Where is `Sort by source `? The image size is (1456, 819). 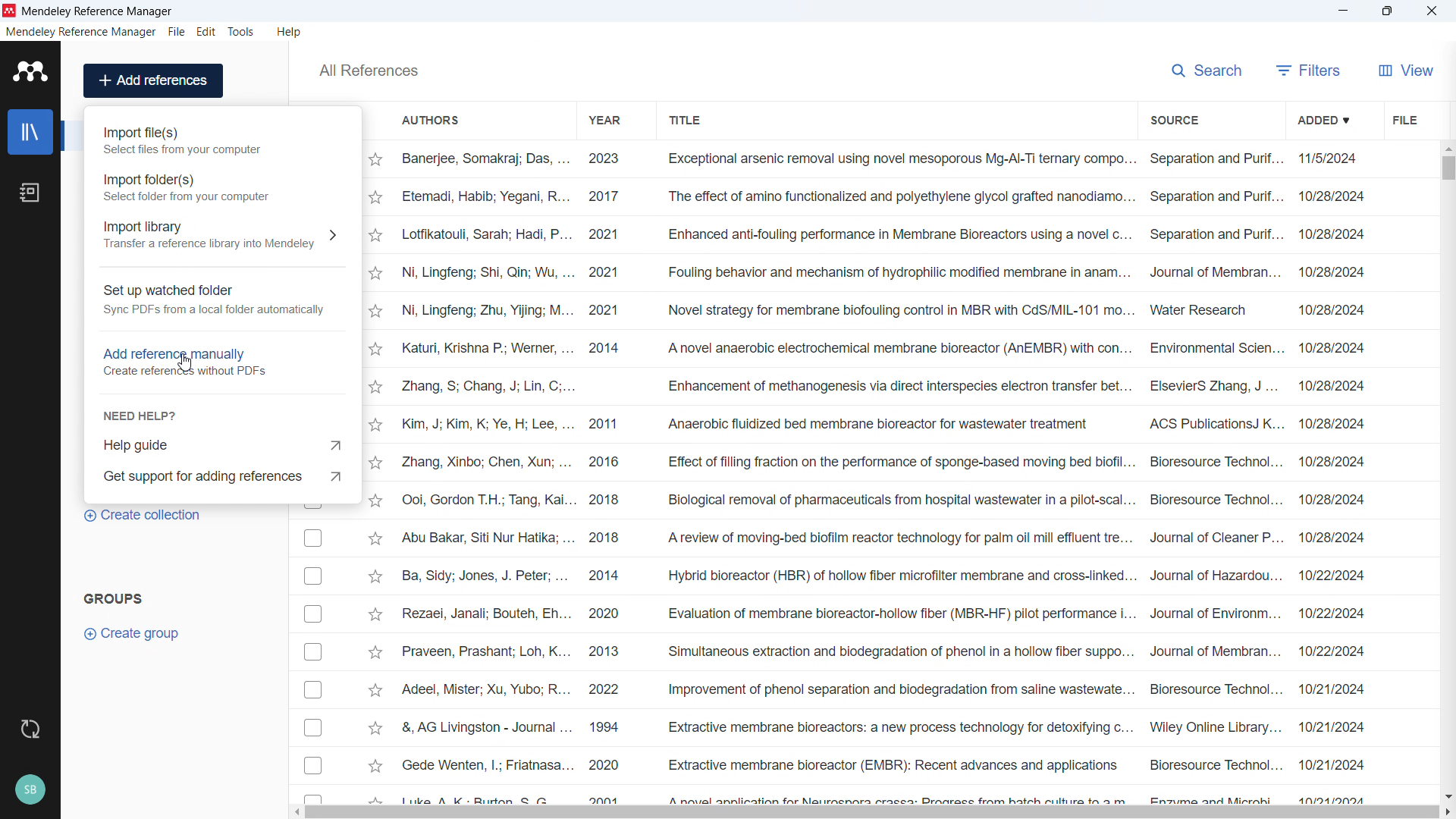 Sort by source  is located at coordinates (1174, 121).